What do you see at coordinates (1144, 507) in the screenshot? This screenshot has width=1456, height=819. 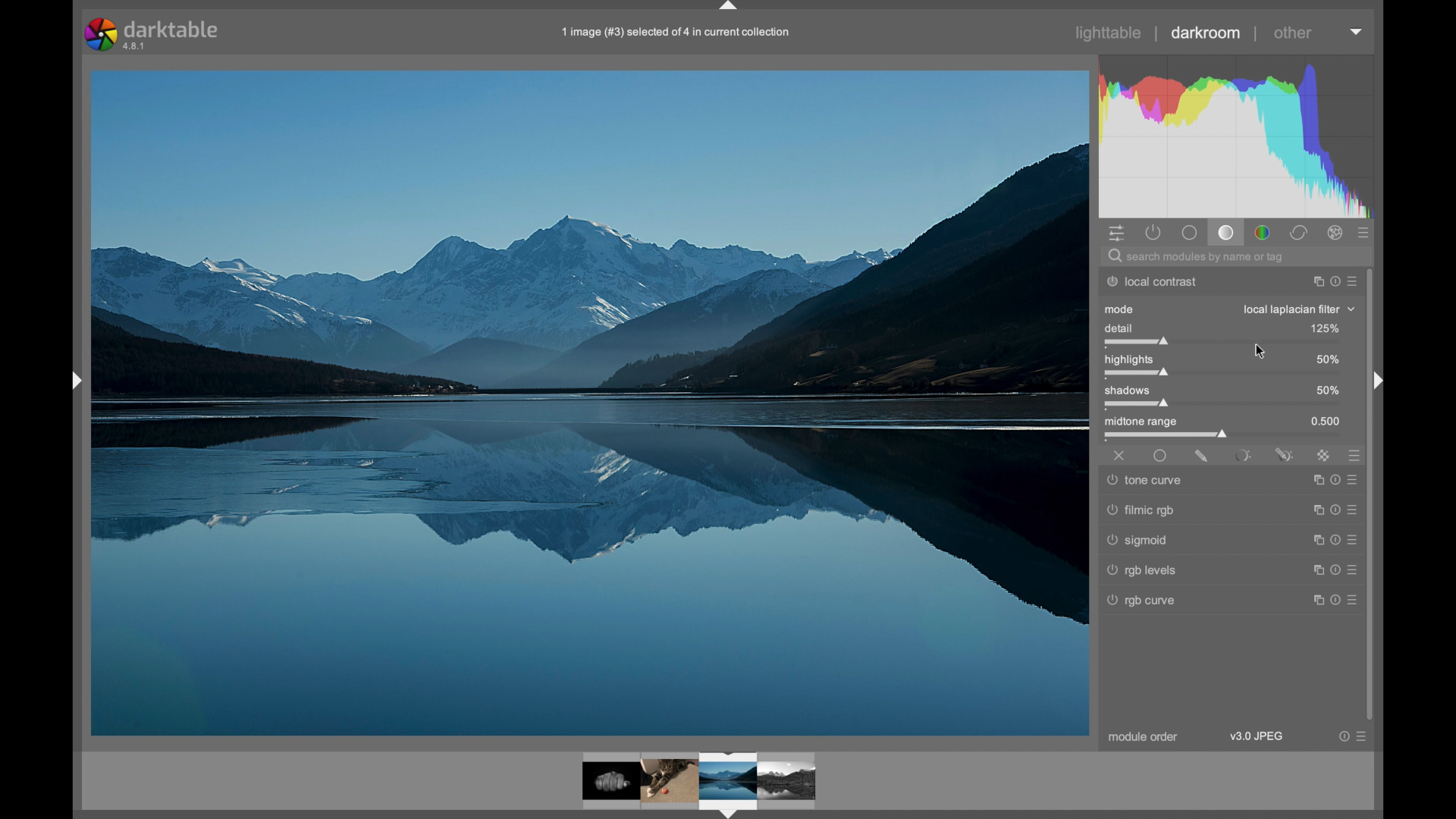 I see `filmic rgb` at bounding box center [1144, 507].